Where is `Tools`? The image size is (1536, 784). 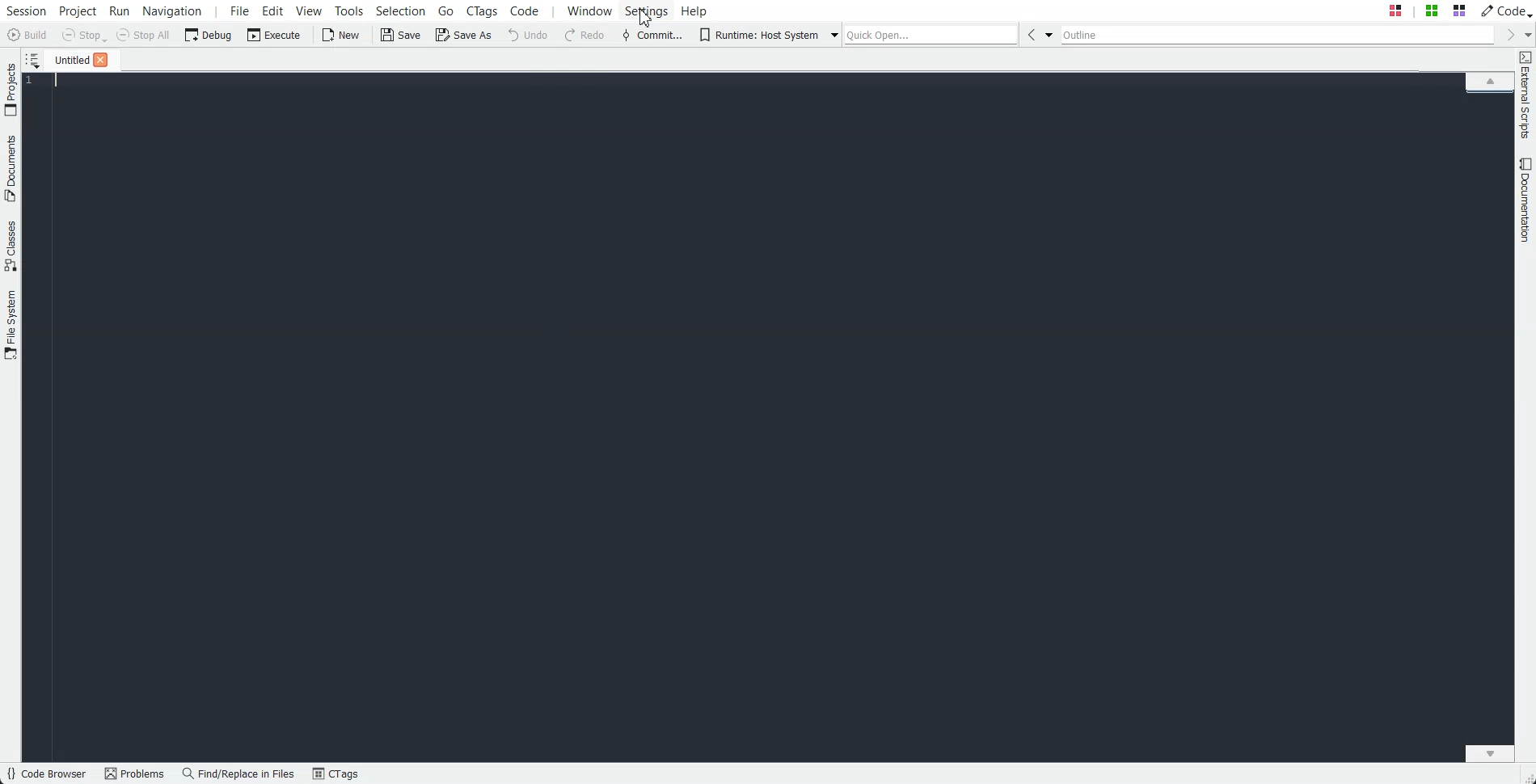 Tools is located at coordinates (350, 11).